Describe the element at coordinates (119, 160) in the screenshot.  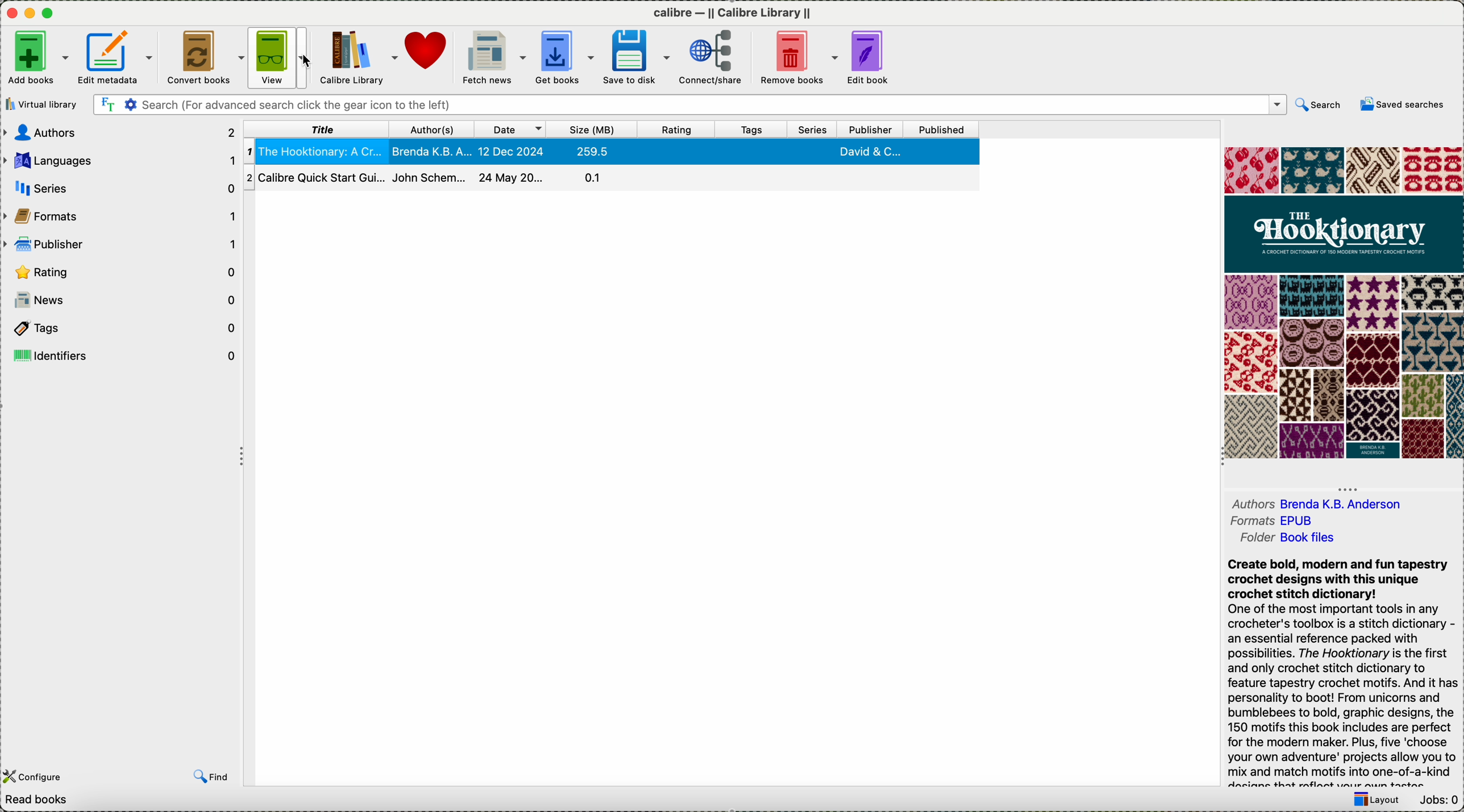
I see `languages` at that location.